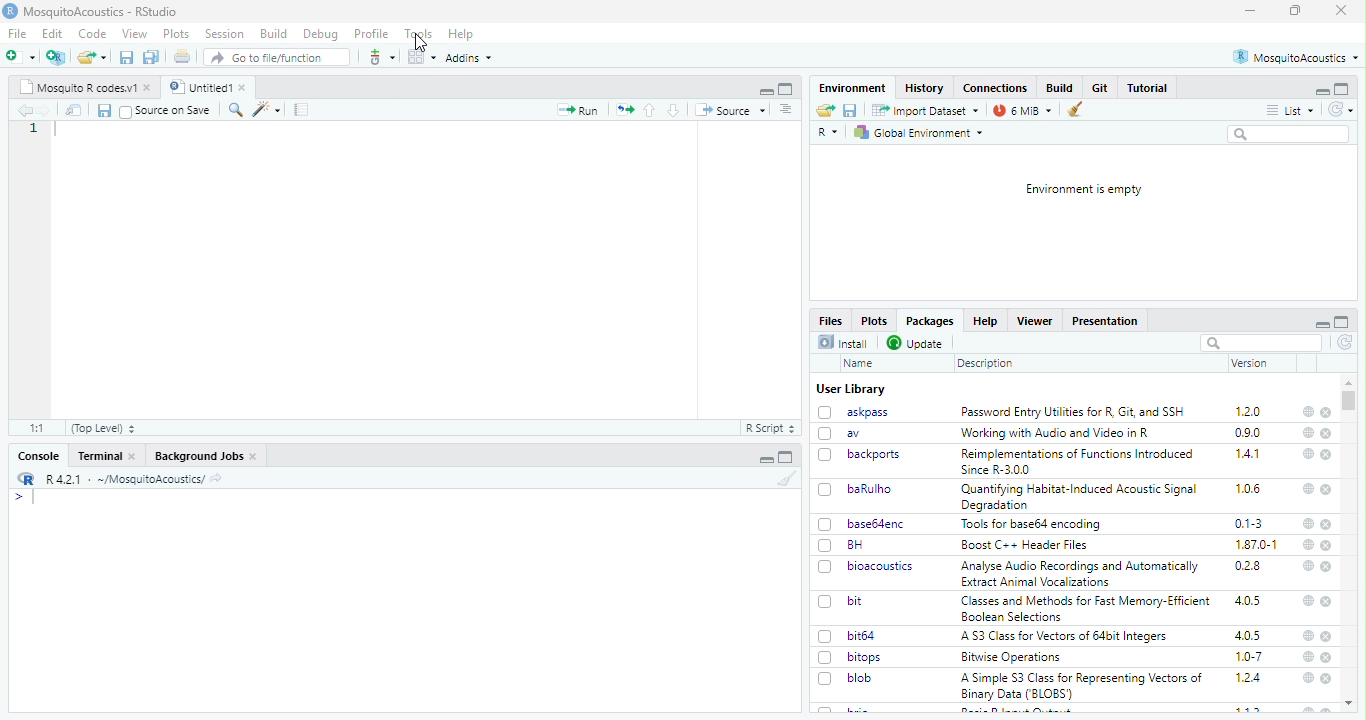  What do you see at coordinates (826, 456) in the screenshot?
I see `checkbox` at bounding box center [826, 456].